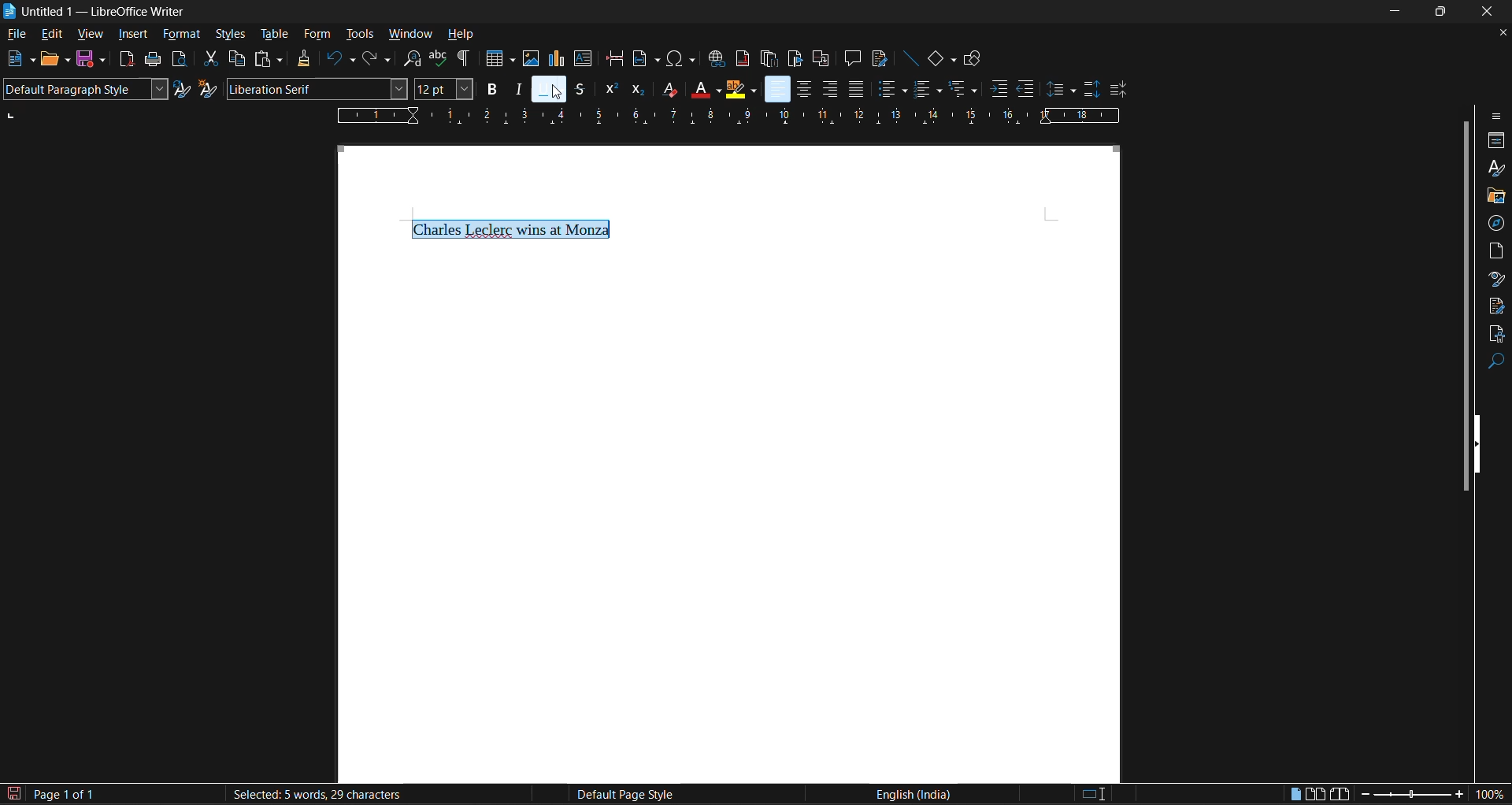 Image resolution: width=1512 pixels, height=805 pixels. I want to click on insert, so click(132, 35).